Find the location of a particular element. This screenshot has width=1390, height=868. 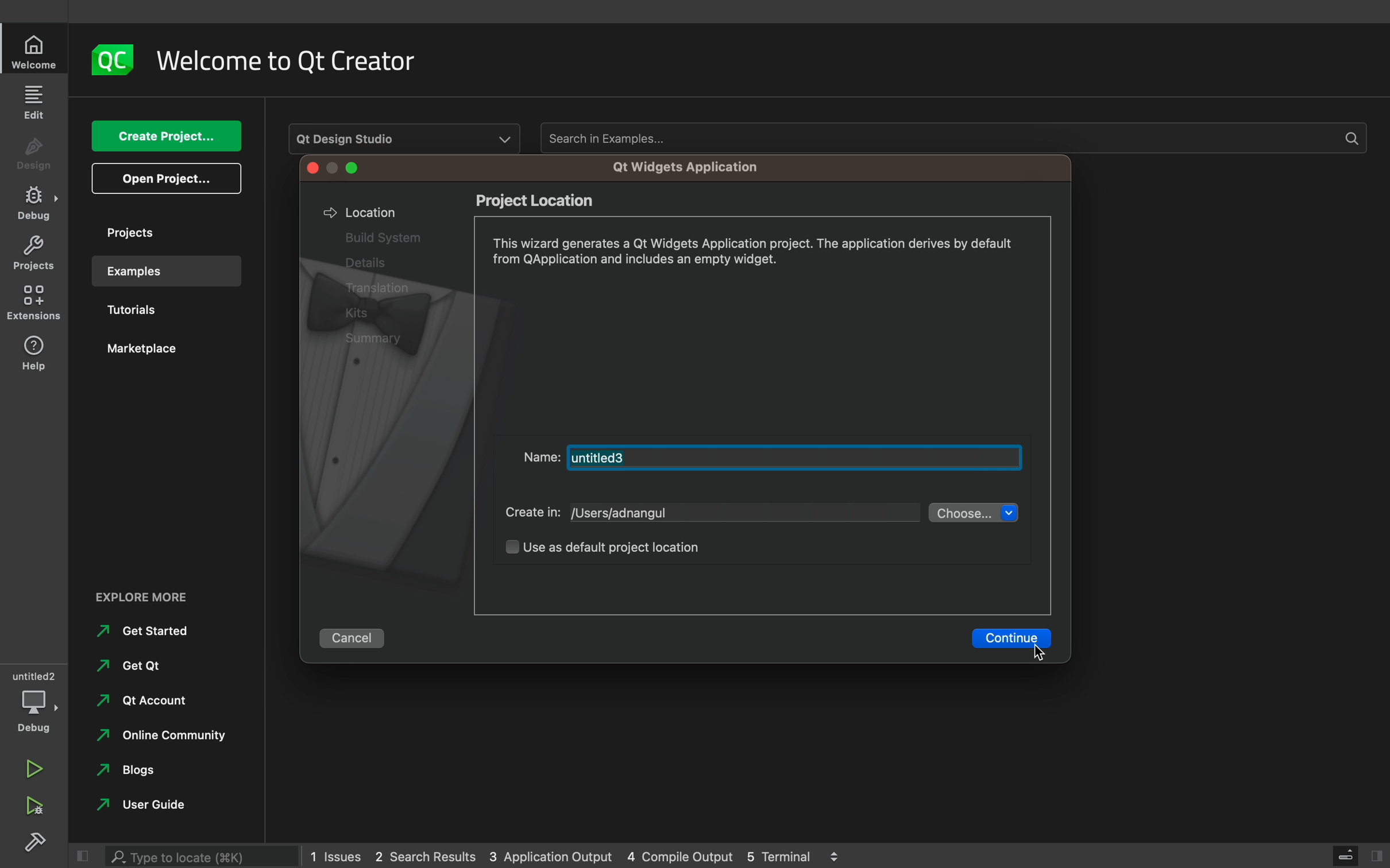

etails is located at coordinates (361, 262).